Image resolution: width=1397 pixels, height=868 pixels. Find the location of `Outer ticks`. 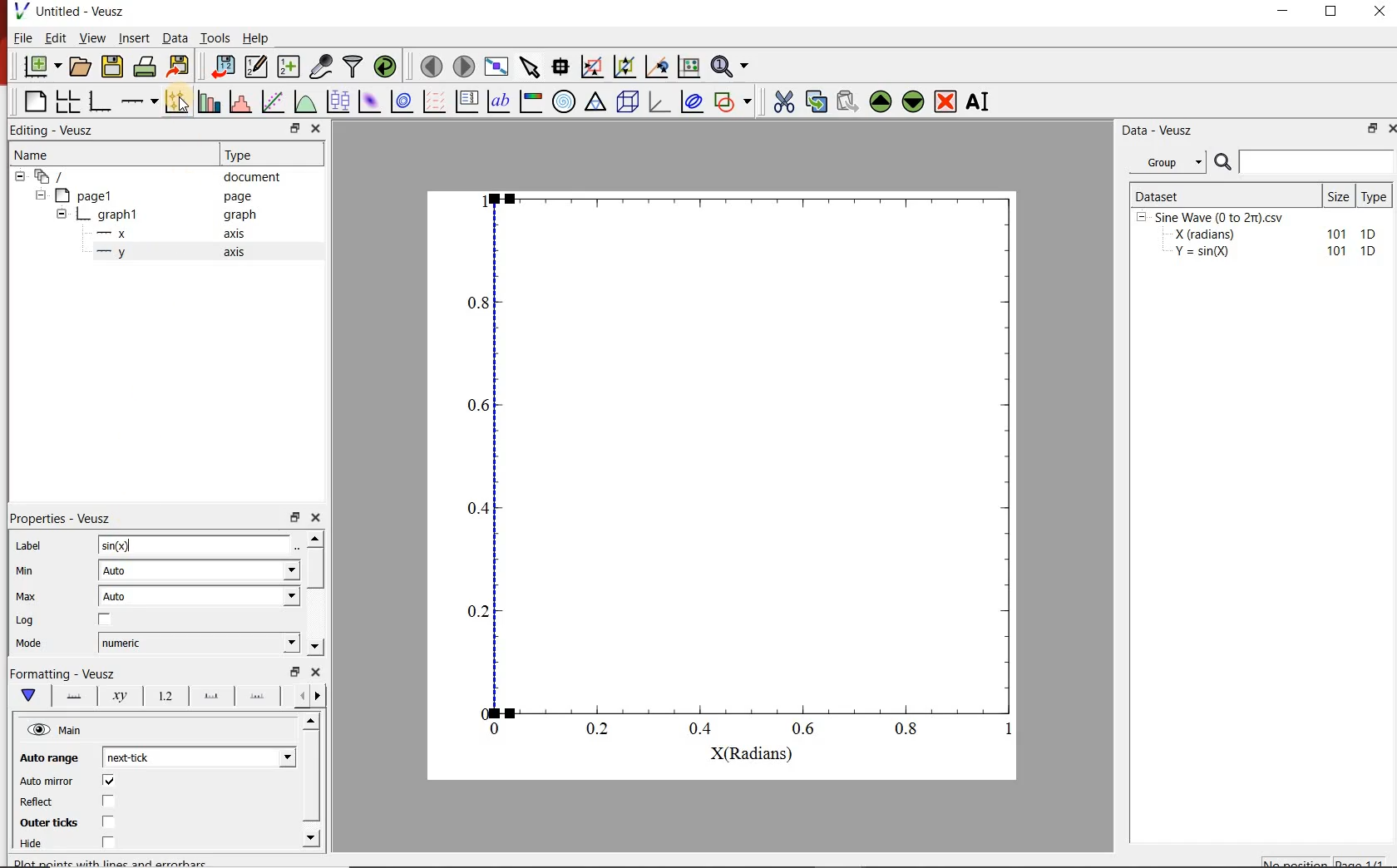

Outer ticks is located at coordinates (45, 822).